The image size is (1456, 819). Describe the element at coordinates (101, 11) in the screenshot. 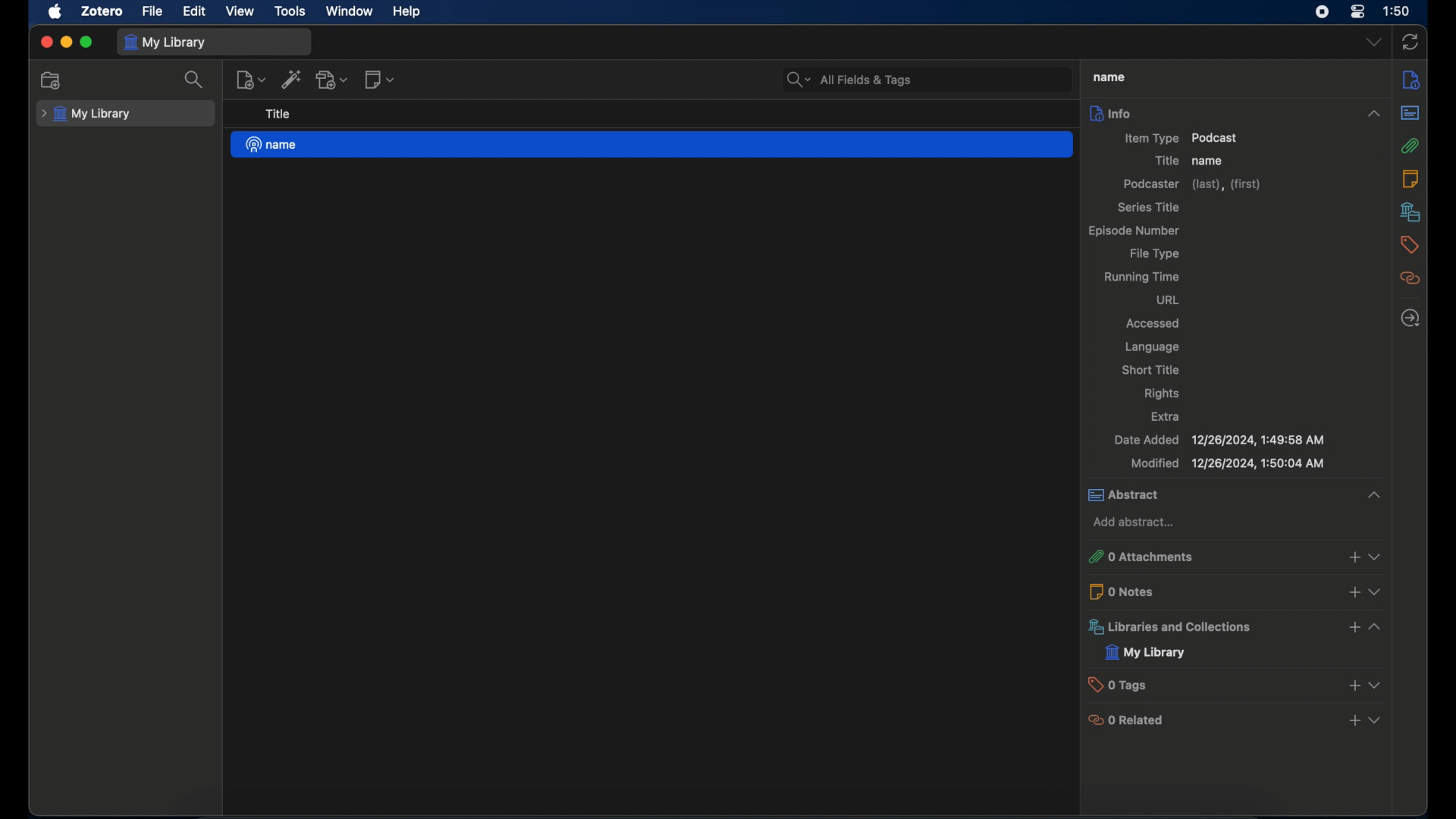

I see `zotero` at that location.